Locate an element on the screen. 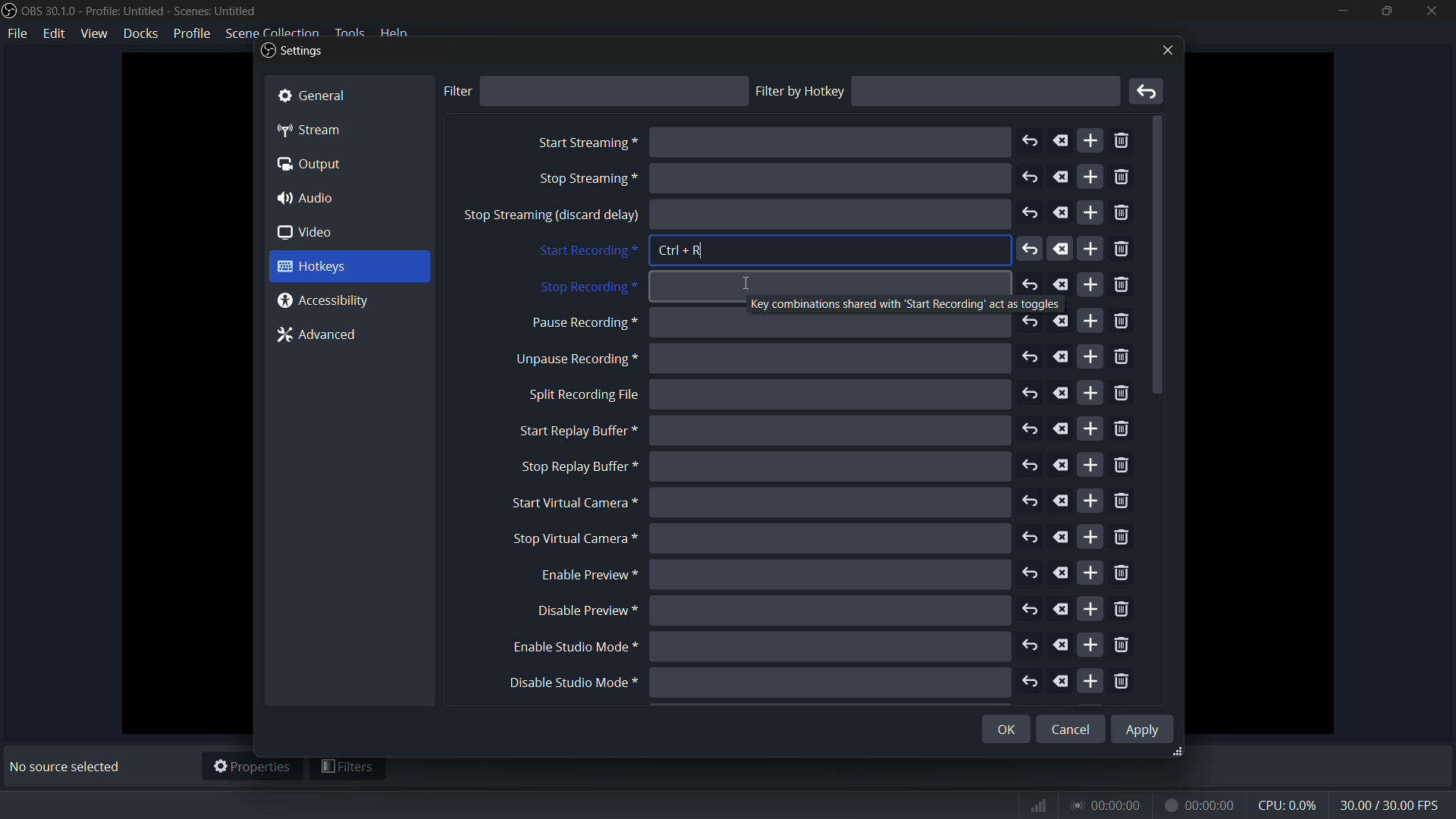  undo is located at coordinates (1030, 214).